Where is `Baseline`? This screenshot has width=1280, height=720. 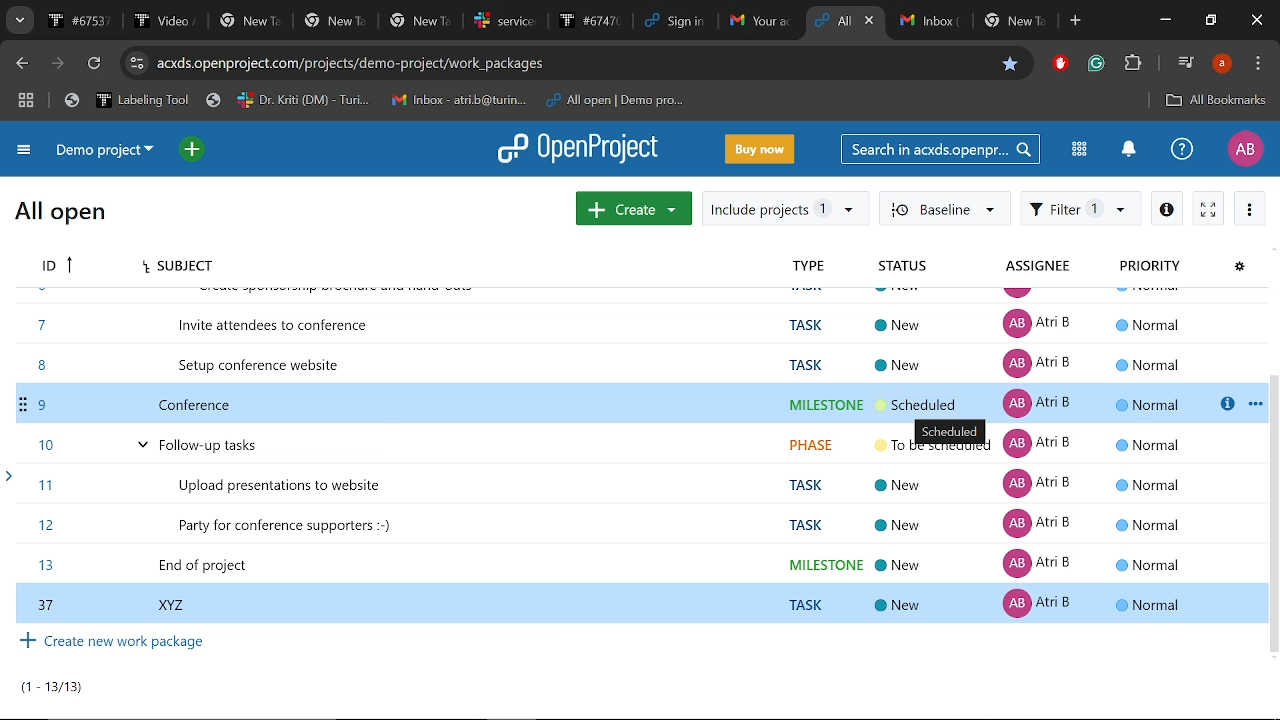
Baseline is located at coordinates (945, 206).